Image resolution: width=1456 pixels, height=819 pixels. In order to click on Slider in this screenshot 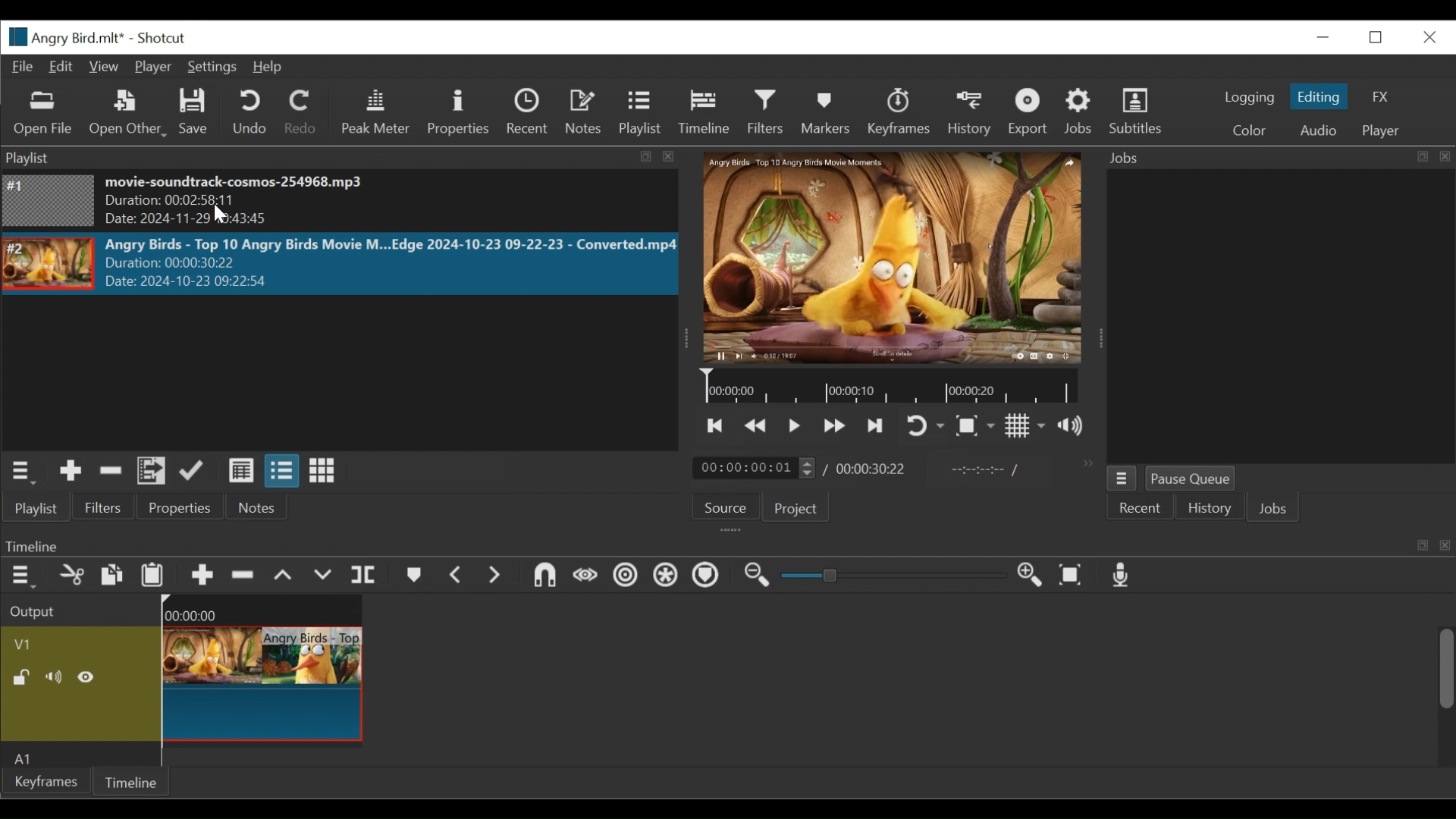, I will do `click(894, 577)`.